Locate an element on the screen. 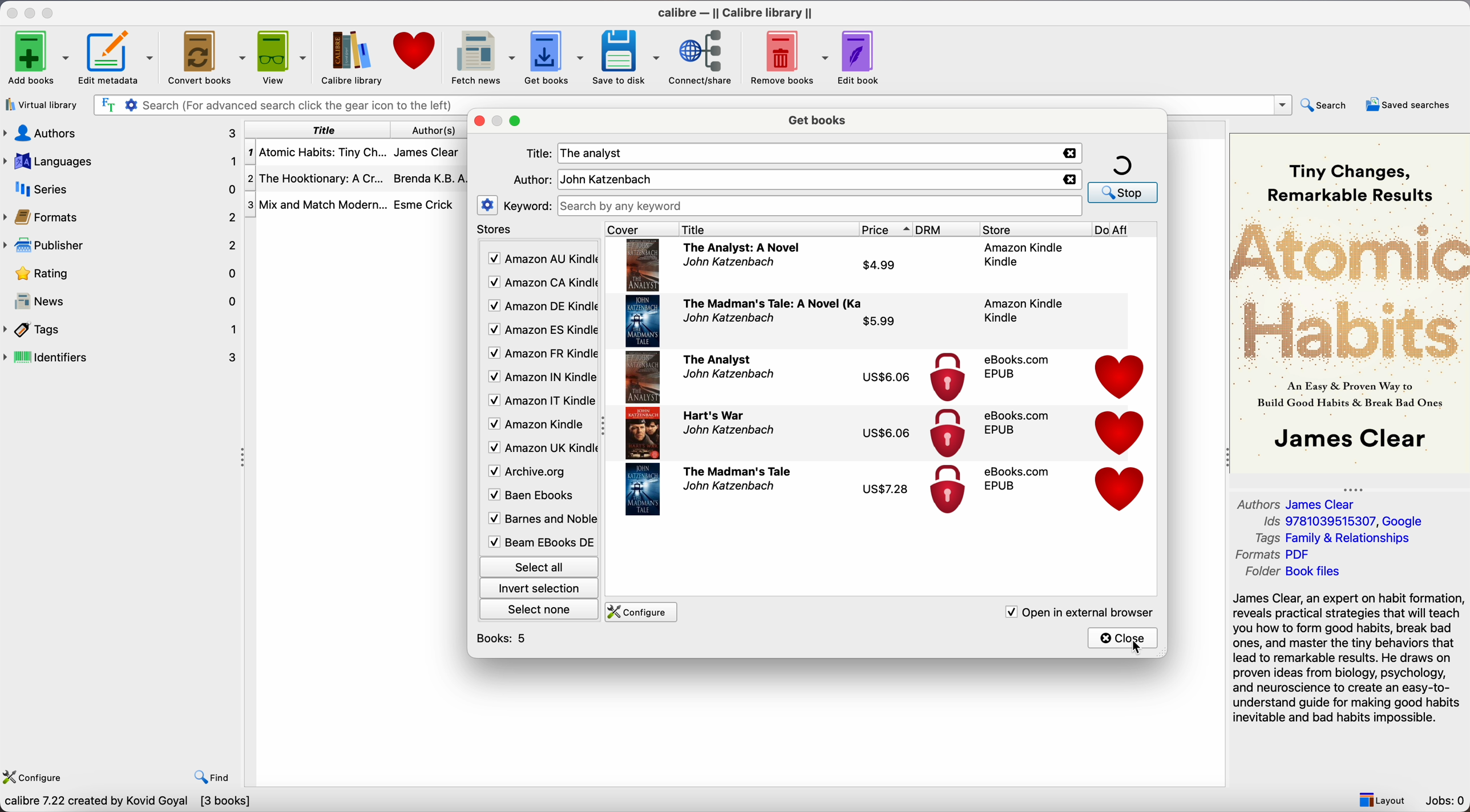 The width and height of the screenshot is (1470, 812). series is located at coordinates (120, 189).